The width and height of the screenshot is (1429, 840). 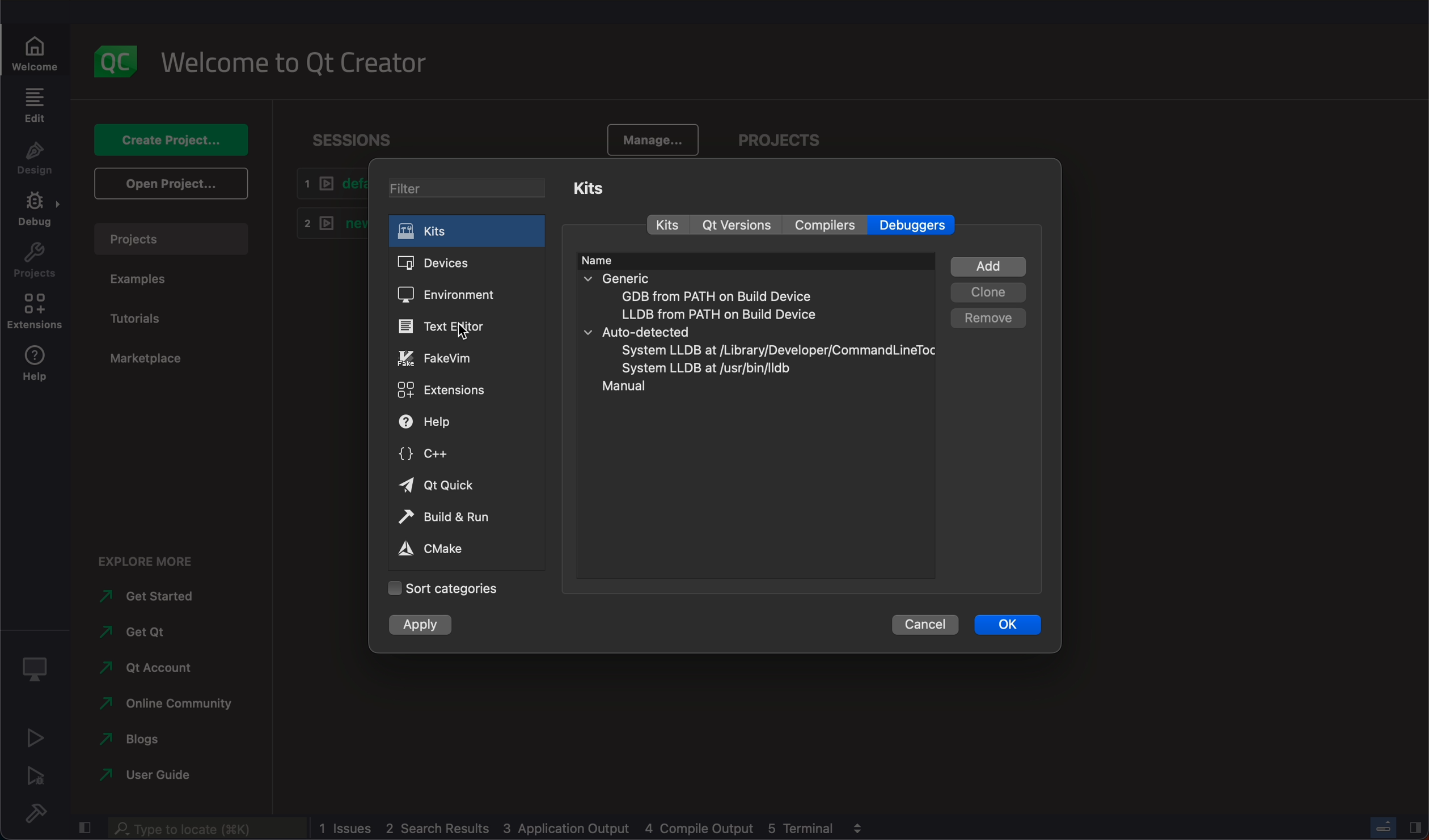 What do you see at coordinates (303, 65) in the screenshot?
I see `welcome to Qt` at bounding box center [303, 65].